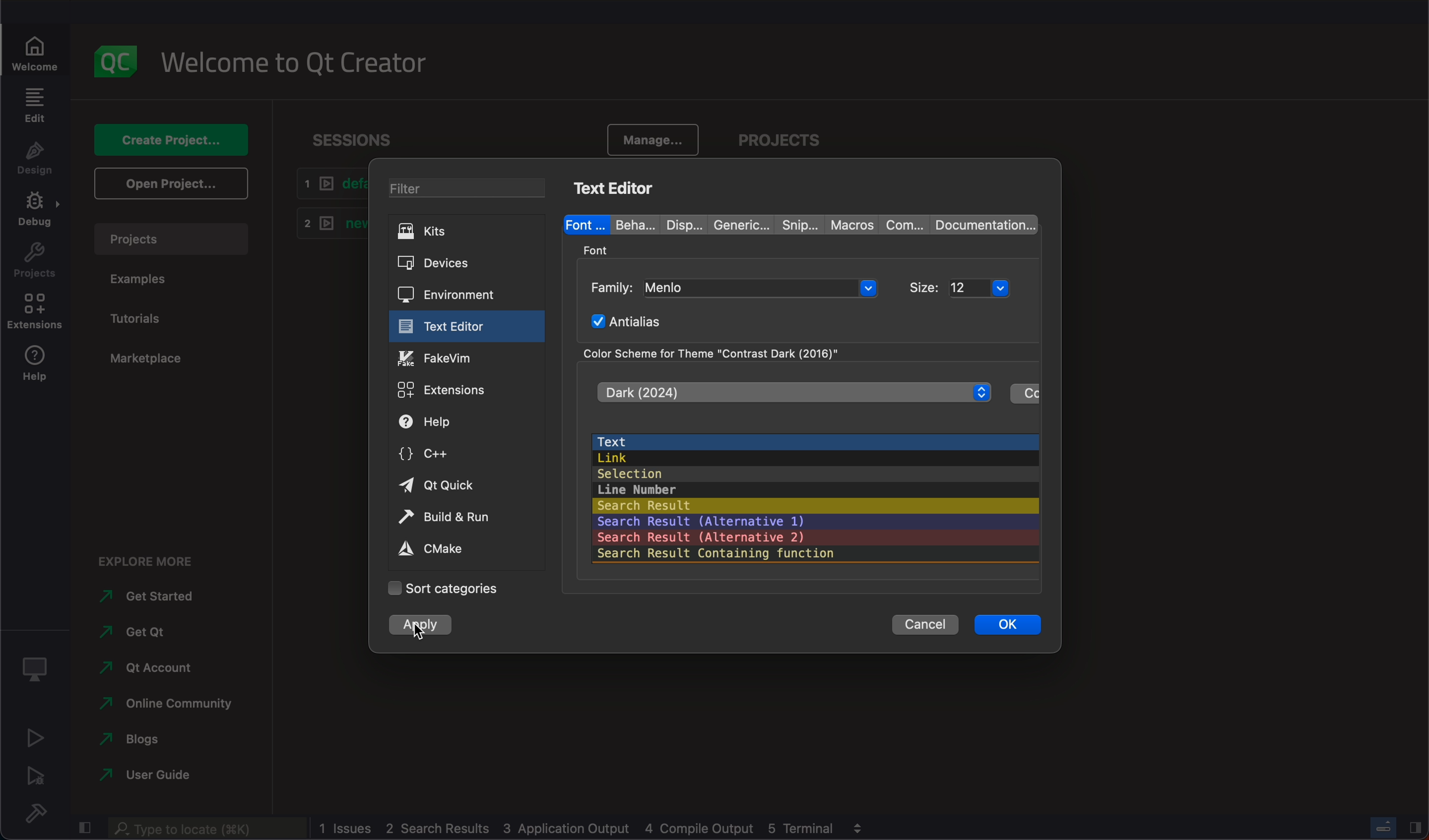 This screenshot has width=1429, height=840. I want to click on font, so click(601, 248).